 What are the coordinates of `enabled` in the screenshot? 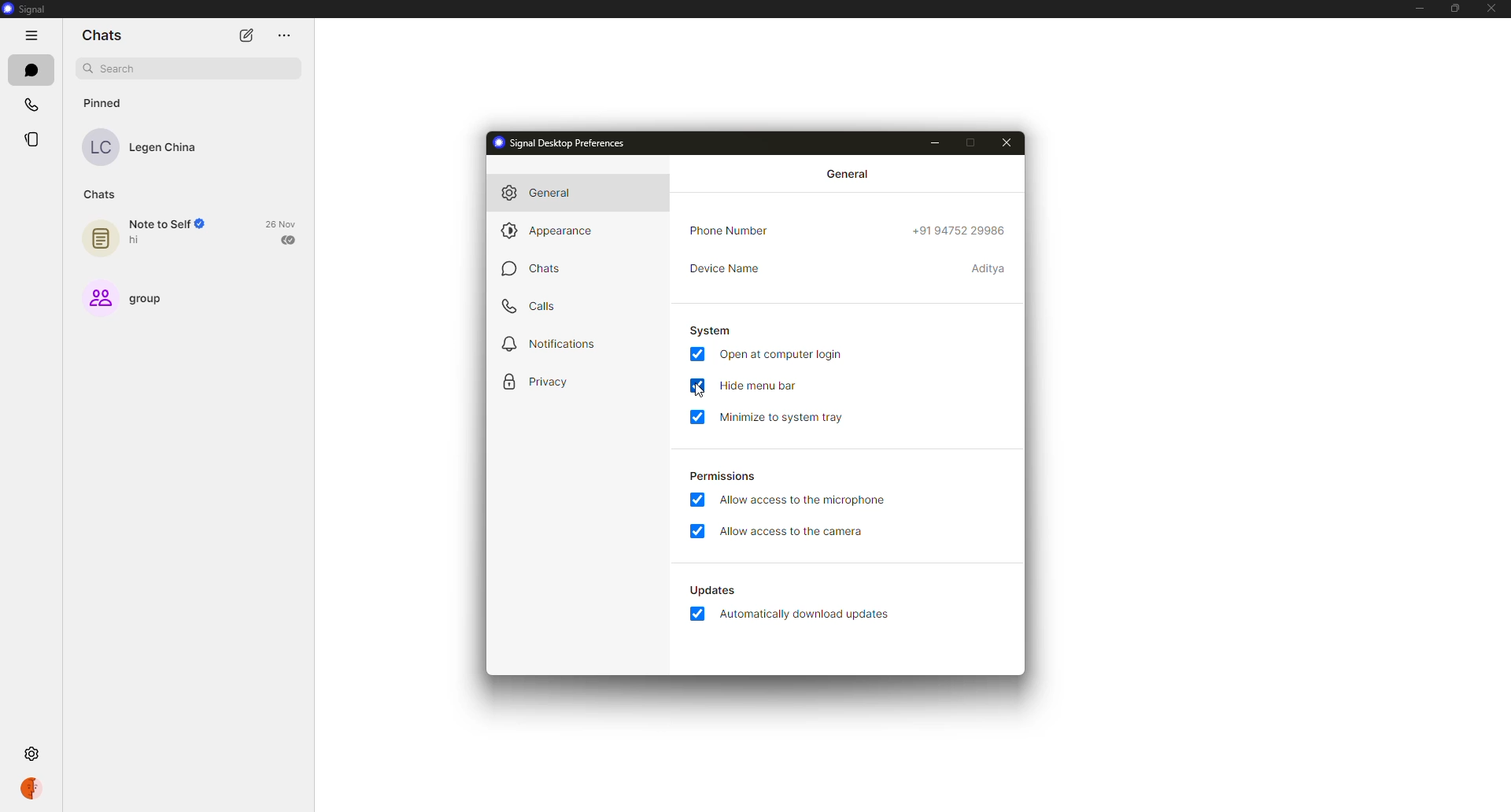 It's located at (699, 500).